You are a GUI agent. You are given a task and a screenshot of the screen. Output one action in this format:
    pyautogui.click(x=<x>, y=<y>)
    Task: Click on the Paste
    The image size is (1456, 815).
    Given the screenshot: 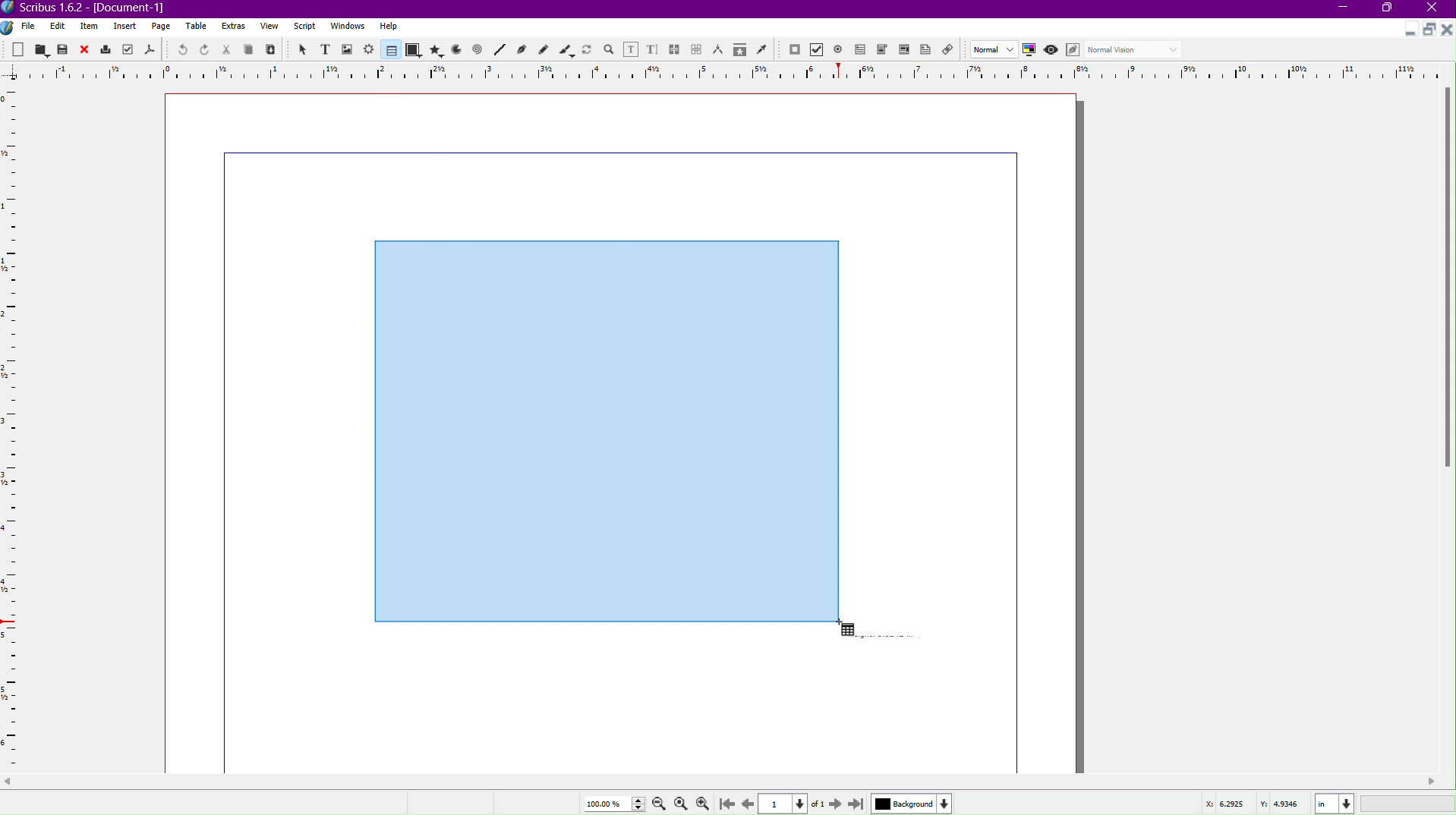 What is the action you would take?
    pyautogui.click(x=272, y=50)
    